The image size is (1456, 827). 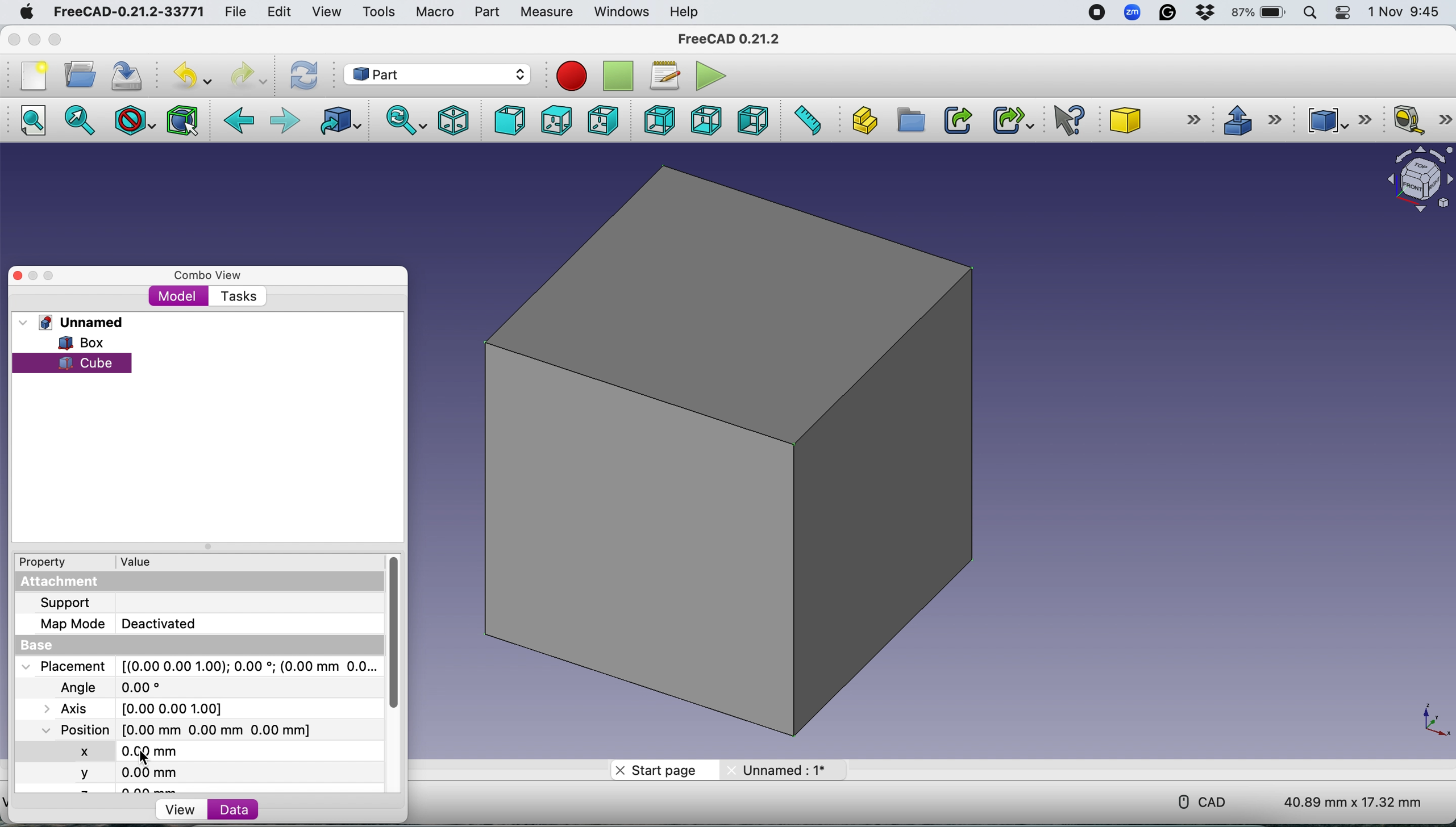 I want to click on Minimise, so click(x=34, y=276).